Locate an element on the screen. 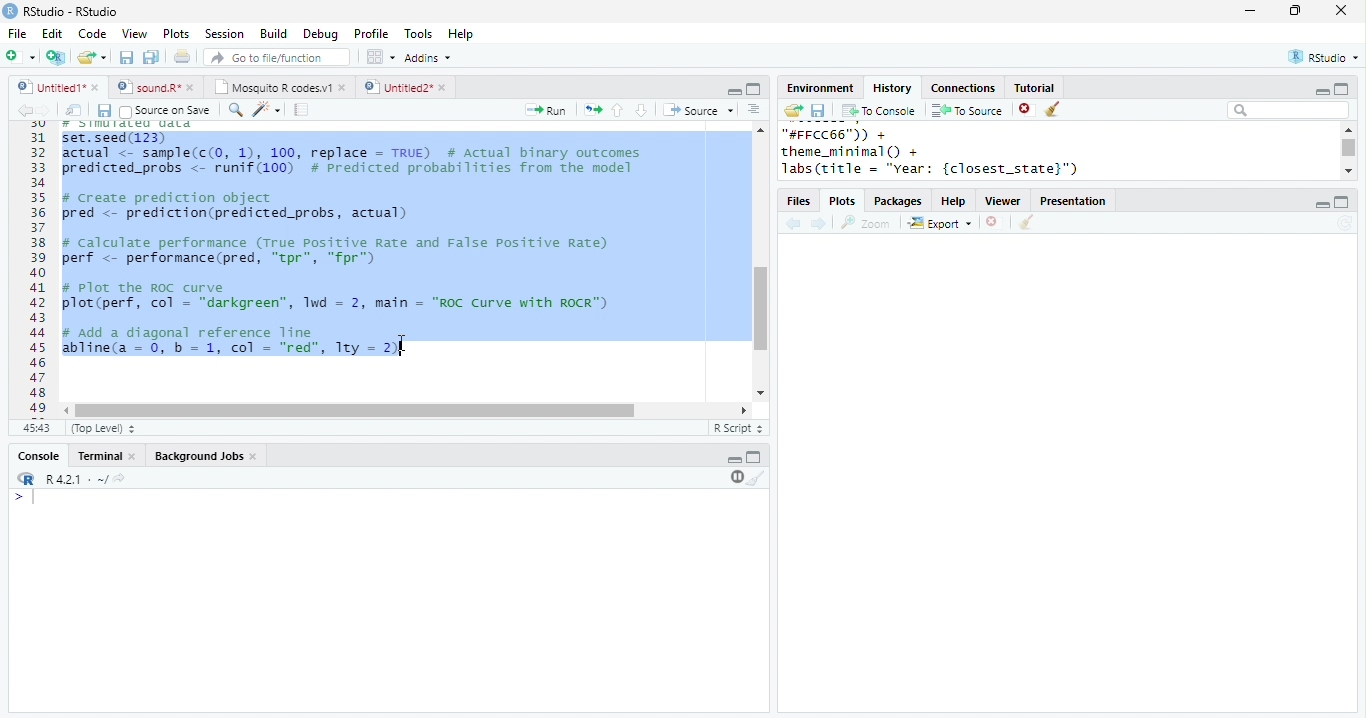  Debug is located at coordinates (323, 35).